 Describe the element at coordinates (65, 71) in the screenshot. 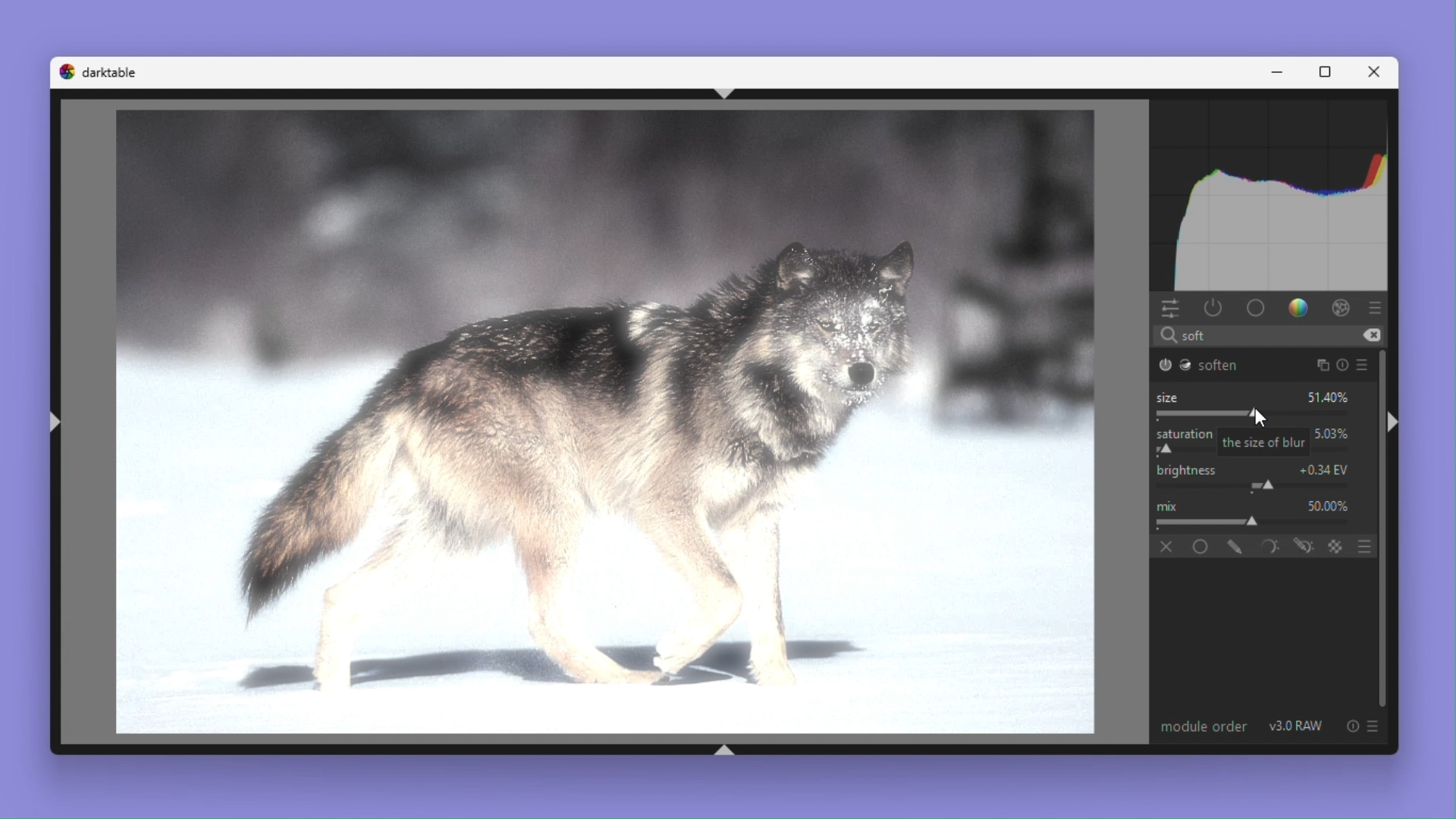

I see `logo` at that location.